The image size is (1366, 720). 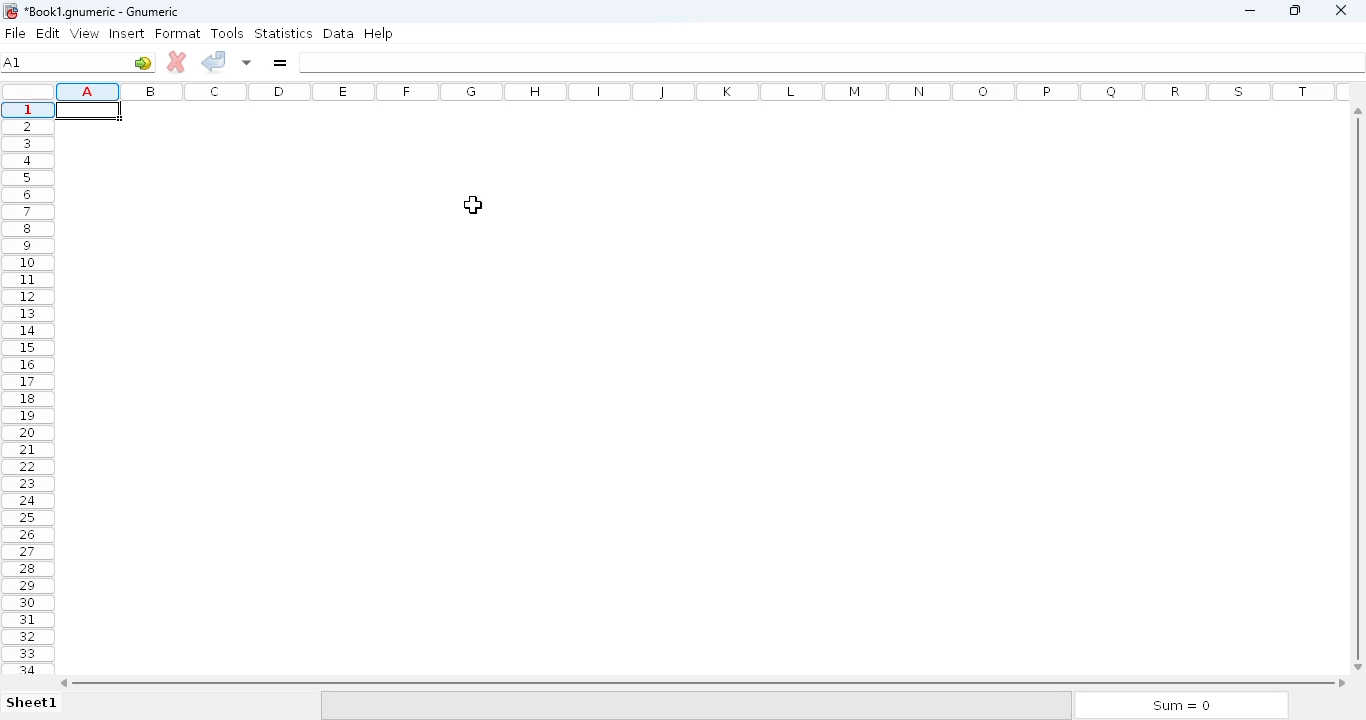 I want to click on data, so click(x=338, y=33).